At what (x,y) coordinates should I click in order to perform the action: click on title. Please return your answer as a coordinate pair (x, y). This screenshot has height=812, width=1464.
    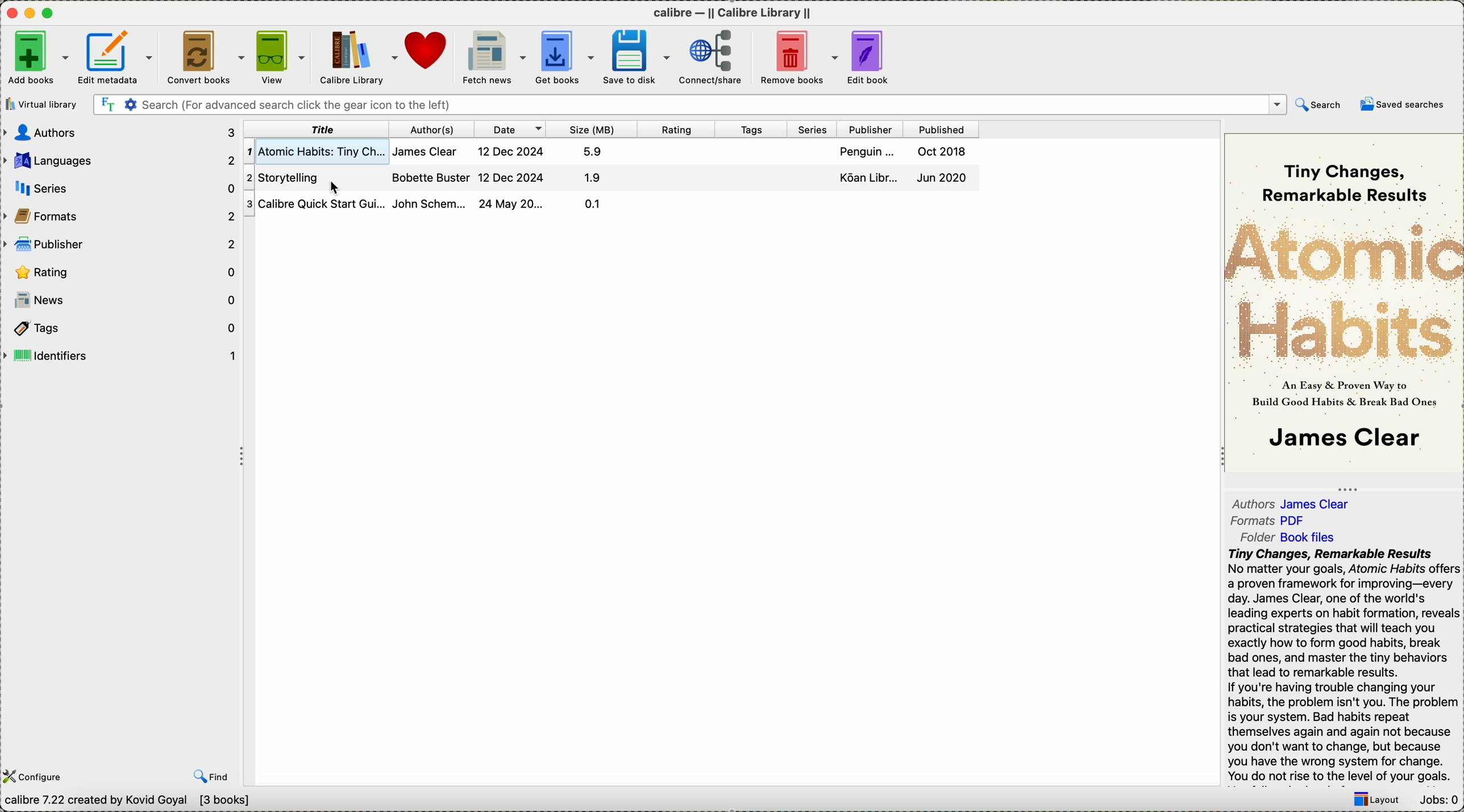
    Looking at the image, I should click on (315, 129).